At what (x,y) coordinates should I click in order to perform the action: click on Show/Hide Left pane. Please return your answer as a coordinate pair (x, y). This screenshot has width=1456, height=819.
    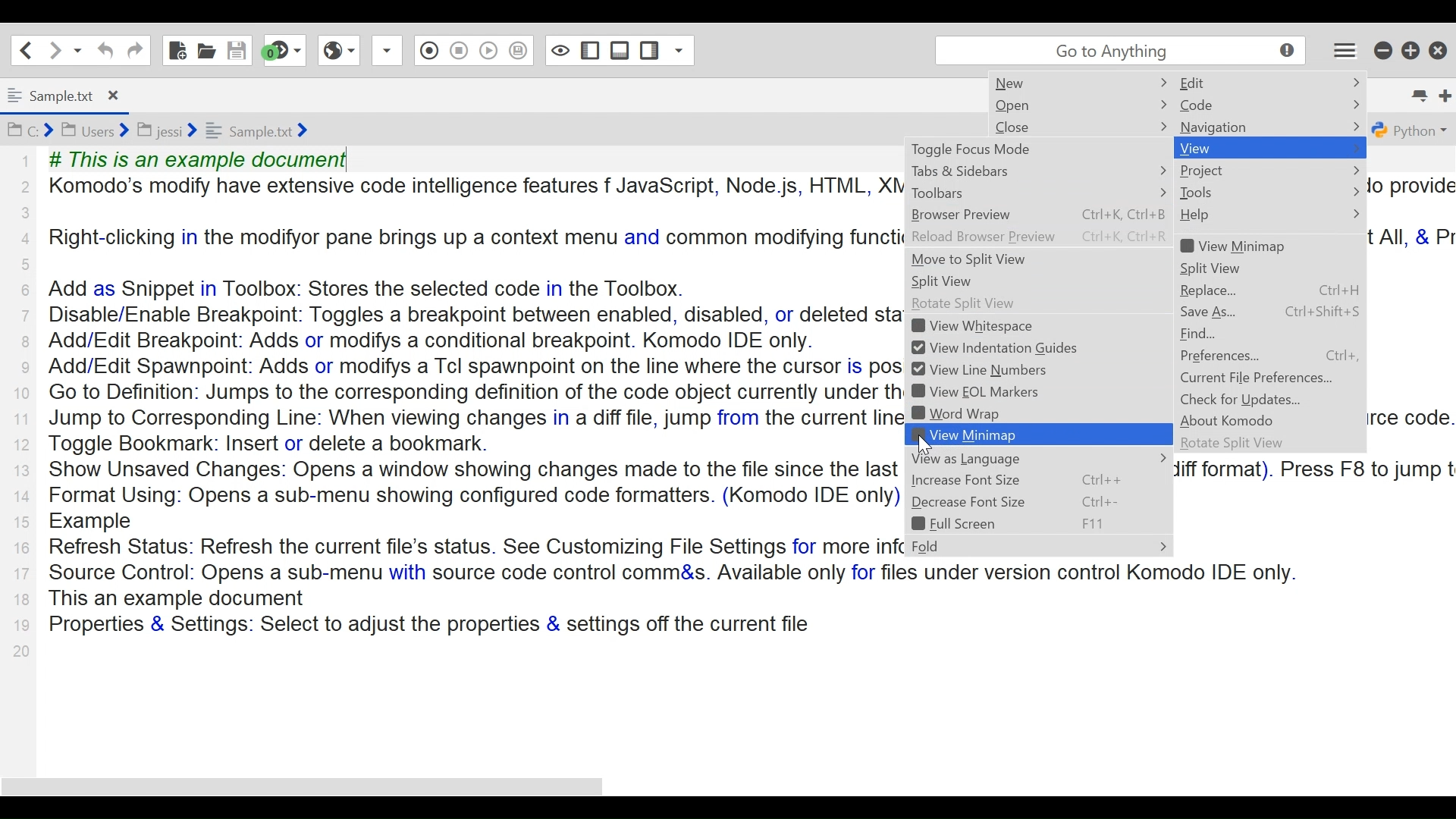
    Looking at the image, I should click on (561, 50).